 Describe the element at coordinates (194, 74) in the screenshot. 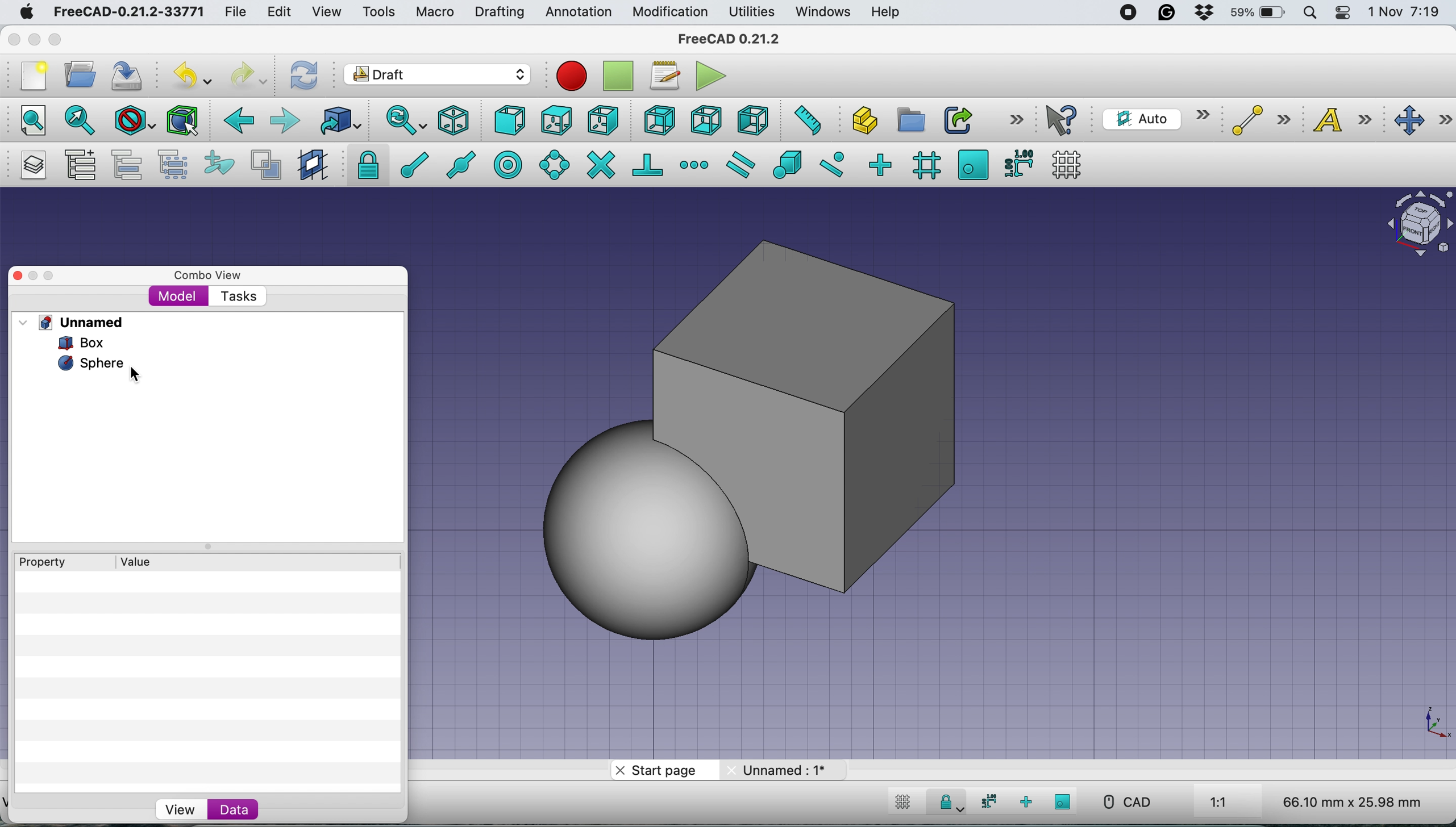

I see `undo` at that location.